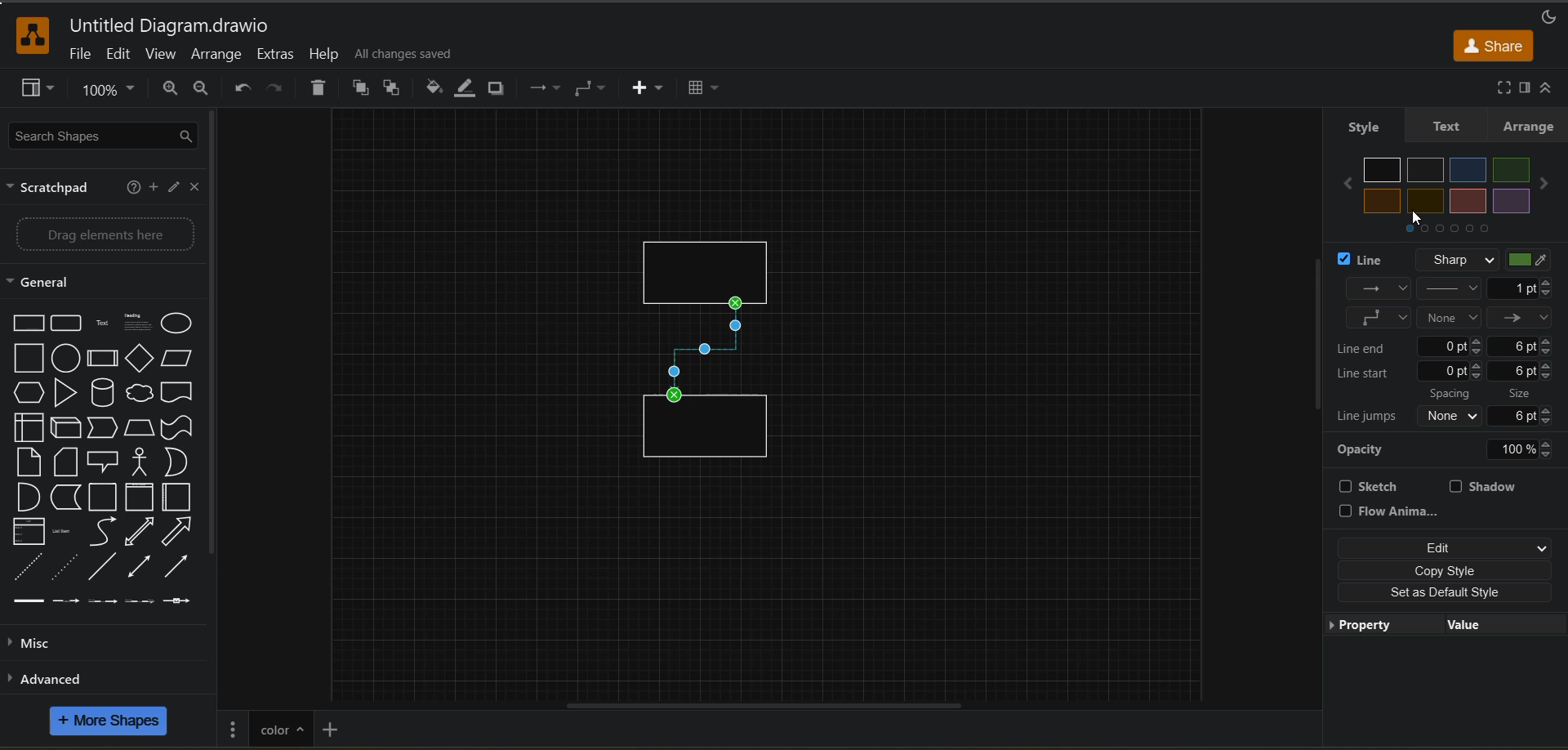 The width and height of the screenshot is (1568, 750). I want to click on arrange, so click(1529, 126).